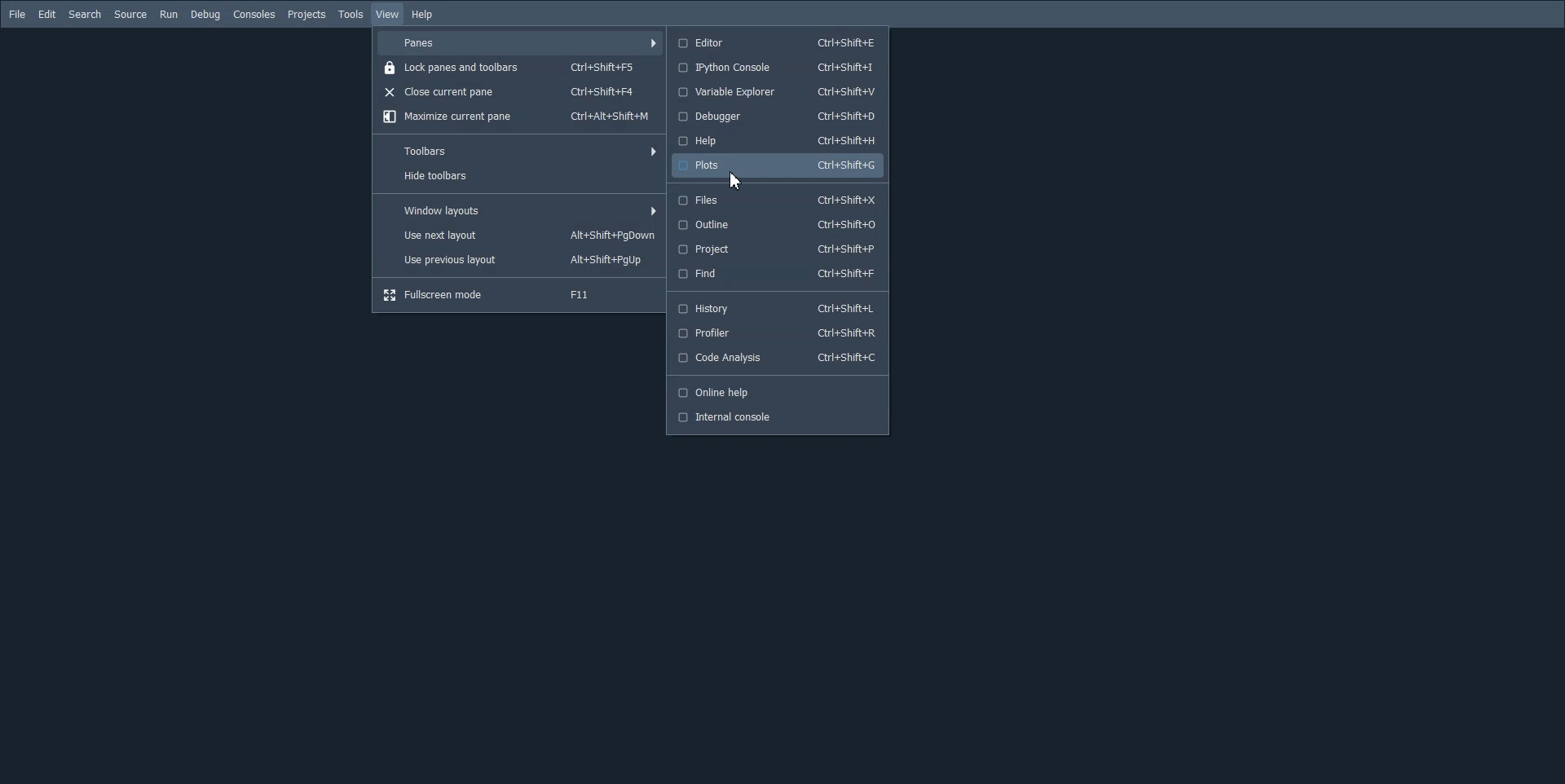 Image resolution: width=1565 pixels, height=784 pixels. Describe the element at coordinates (518, 43) in the screenshot. I see `Panes` at that location.